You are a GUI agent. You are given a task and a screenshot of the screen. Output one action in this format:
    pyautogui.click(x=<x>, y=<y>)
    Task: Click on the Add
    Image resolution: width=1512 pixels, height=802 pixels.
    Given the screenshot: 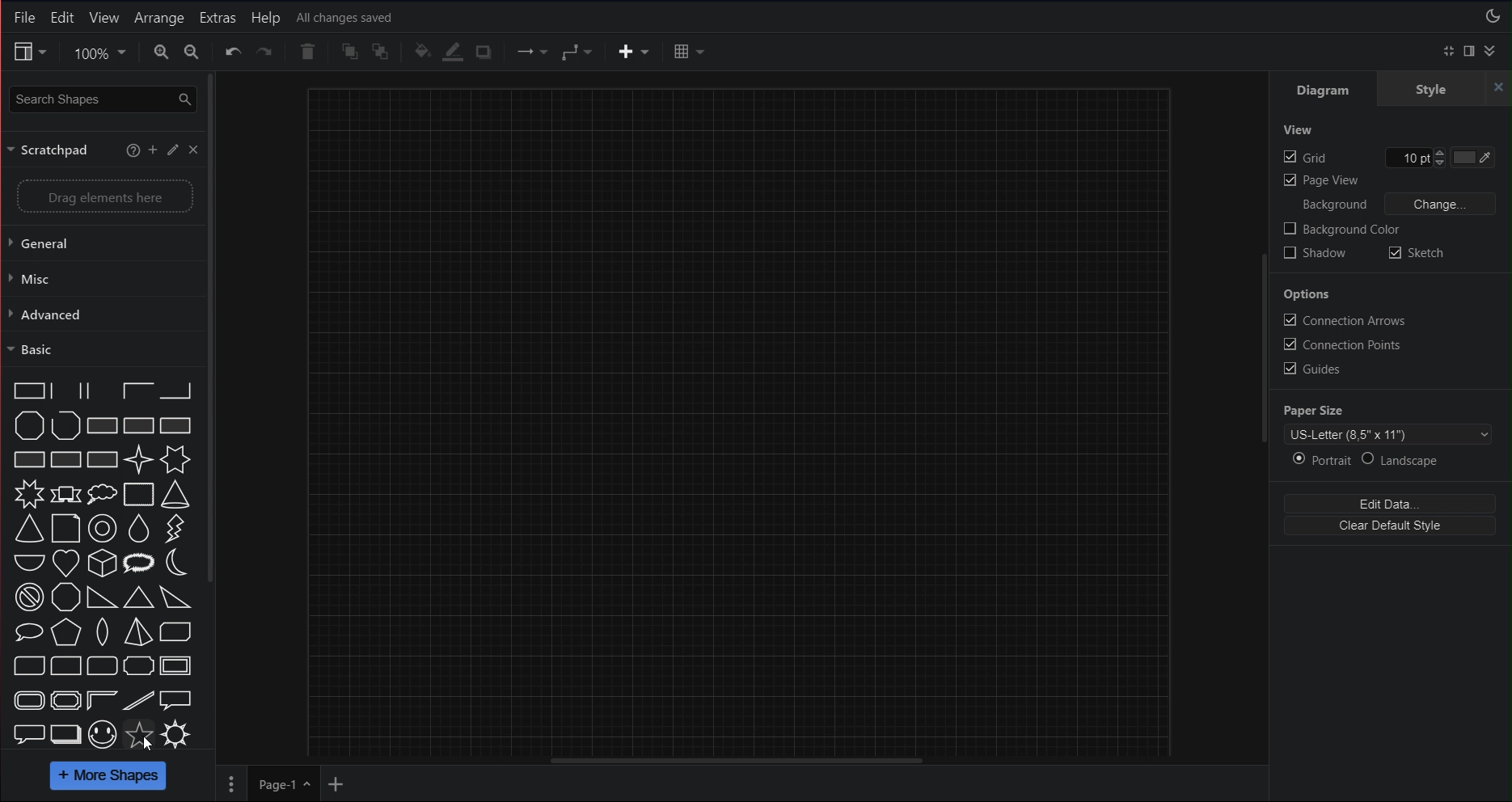 What is the action you would take?
    pyautogui.click(x=154, y=150)
    